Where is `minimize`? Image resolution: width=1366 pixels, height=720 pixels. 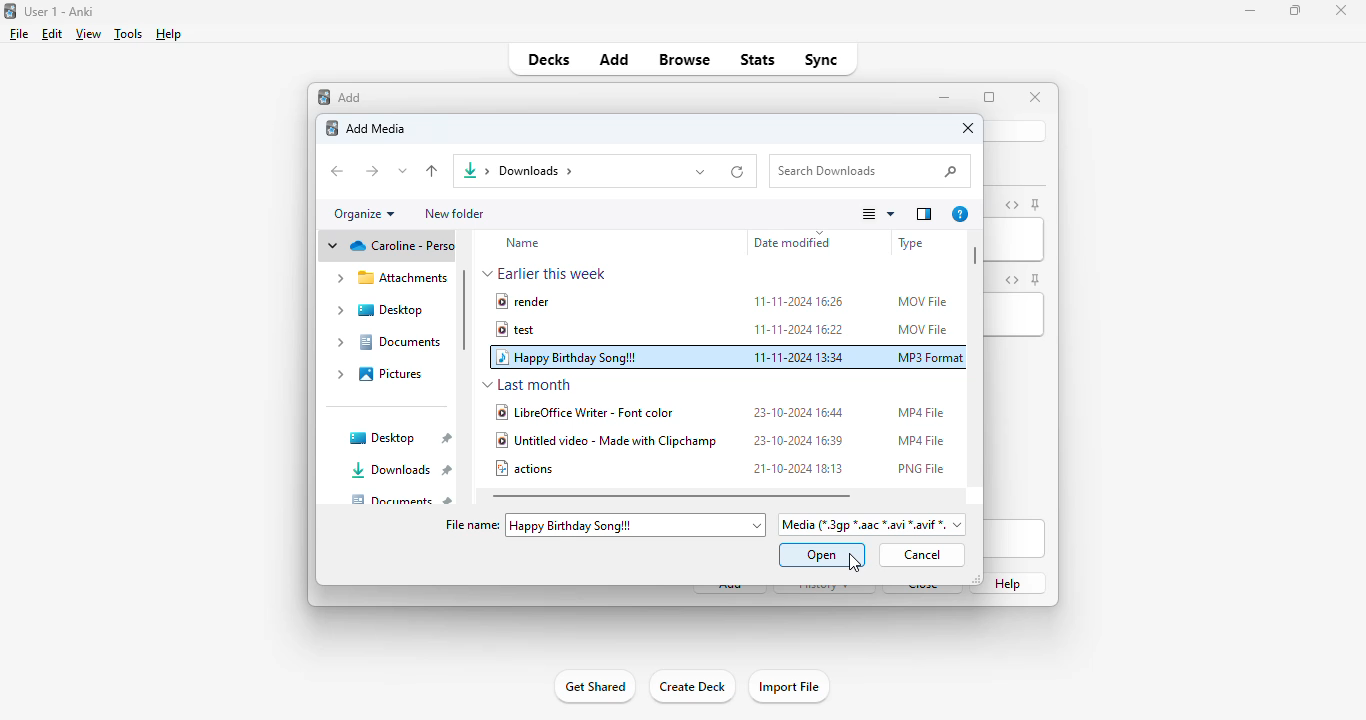
minimize is located at coordinates (1250, 11).